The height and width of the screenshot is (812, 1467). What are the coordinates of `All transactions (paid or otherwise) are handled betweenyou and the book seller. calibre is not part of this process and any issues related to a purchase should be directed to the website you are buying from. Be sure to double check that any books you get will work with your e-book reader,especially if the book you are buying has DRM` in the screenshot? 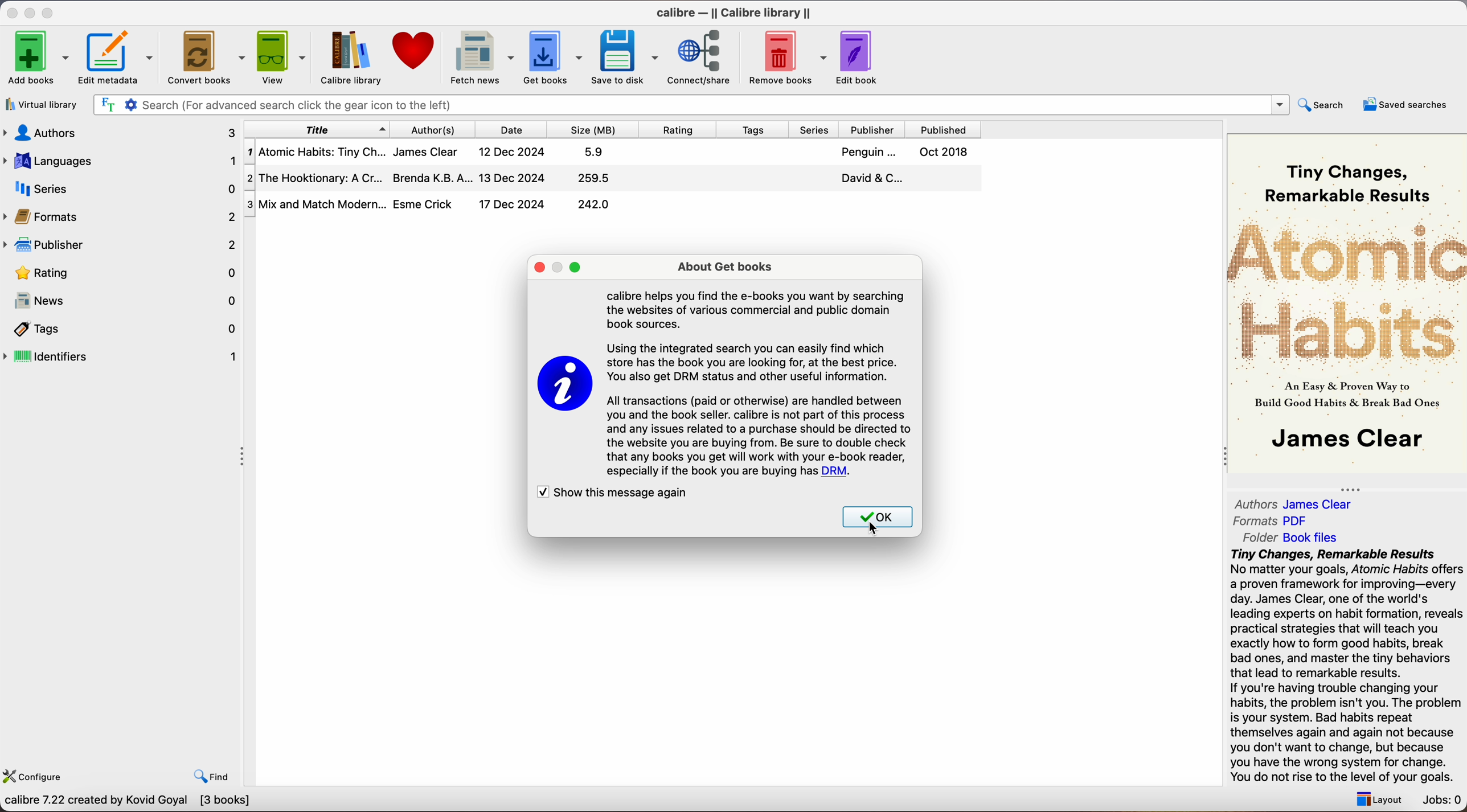 It's located at (760, 435).